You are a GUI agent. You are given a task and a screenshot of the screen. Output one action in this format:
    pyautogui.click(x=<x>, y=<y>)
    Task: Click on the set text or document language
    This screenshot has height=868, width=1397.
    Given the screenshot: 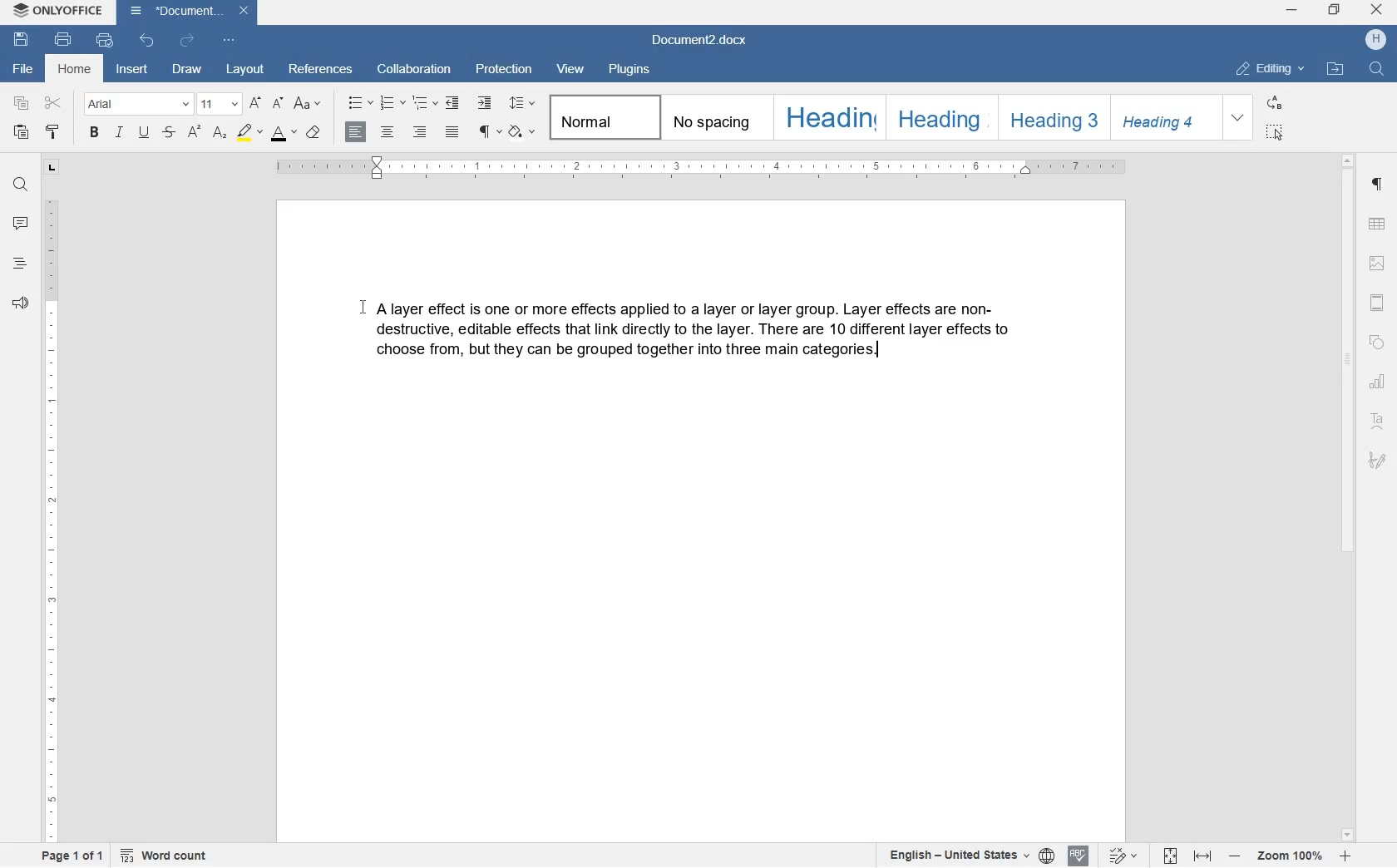 What is the action you would take?
    pyautogui.click(x=967, y=855)
    